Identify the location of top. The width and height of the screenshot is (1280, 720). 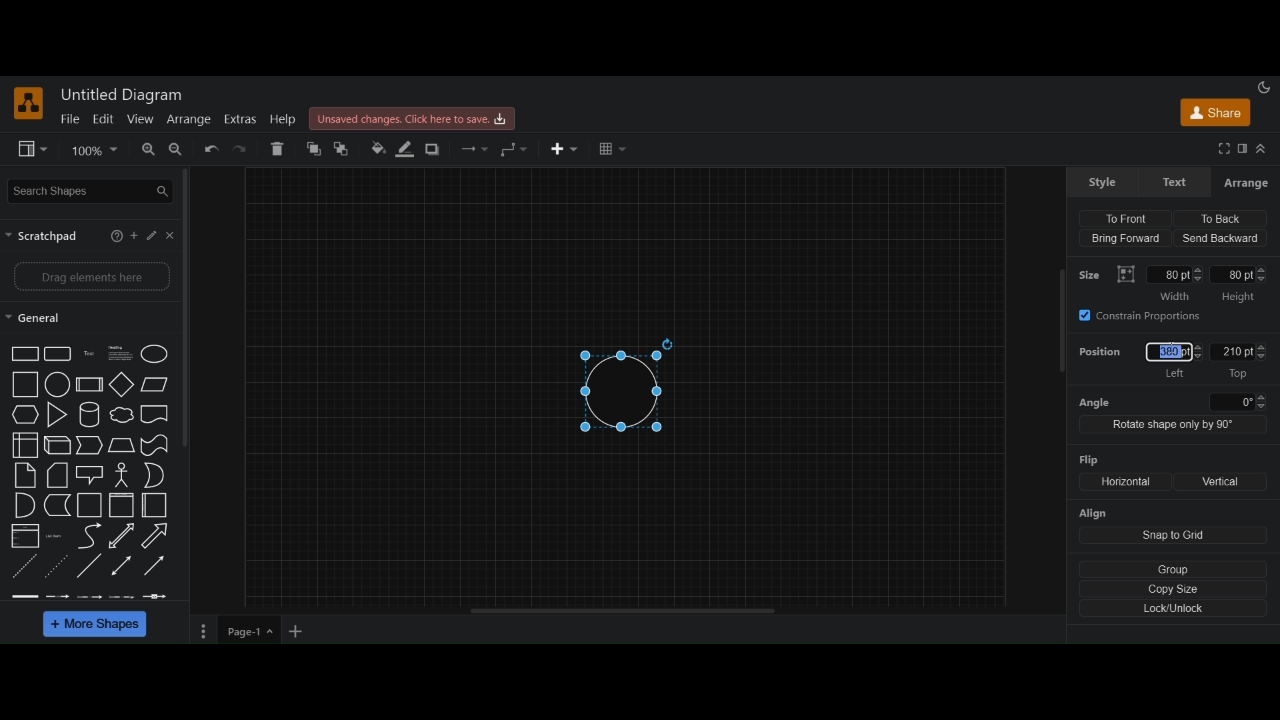
(1240, 361).